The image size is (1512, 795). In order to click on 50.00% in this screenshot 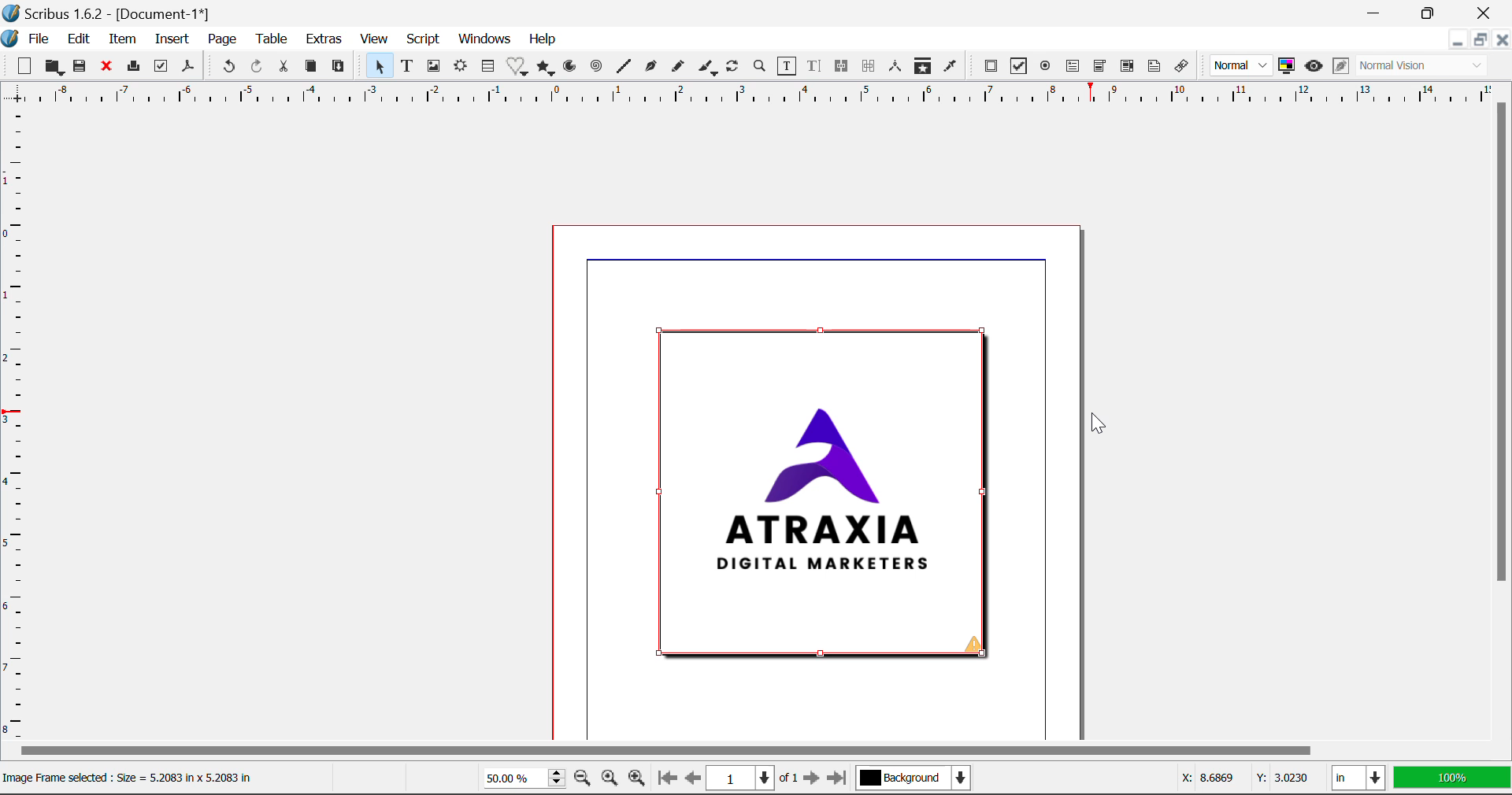, I will do `click(521, 777)`.